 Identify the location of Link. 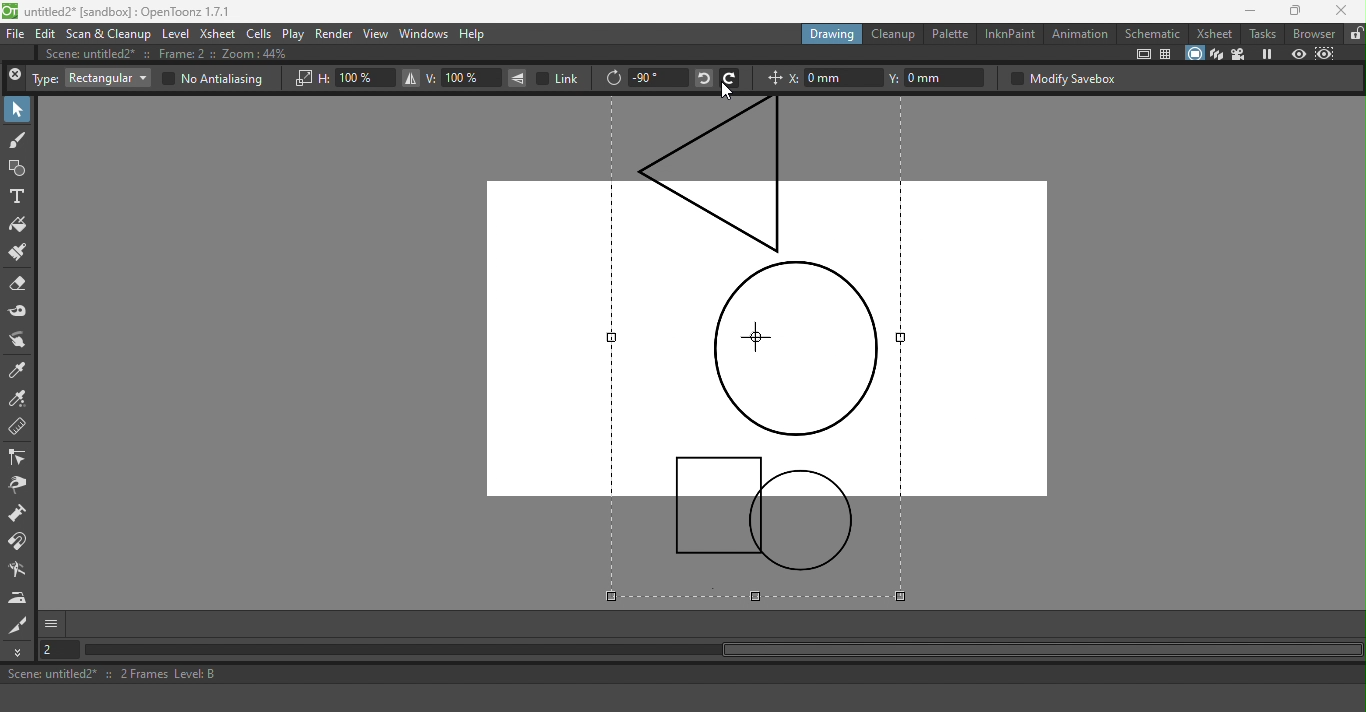
(560, 78).